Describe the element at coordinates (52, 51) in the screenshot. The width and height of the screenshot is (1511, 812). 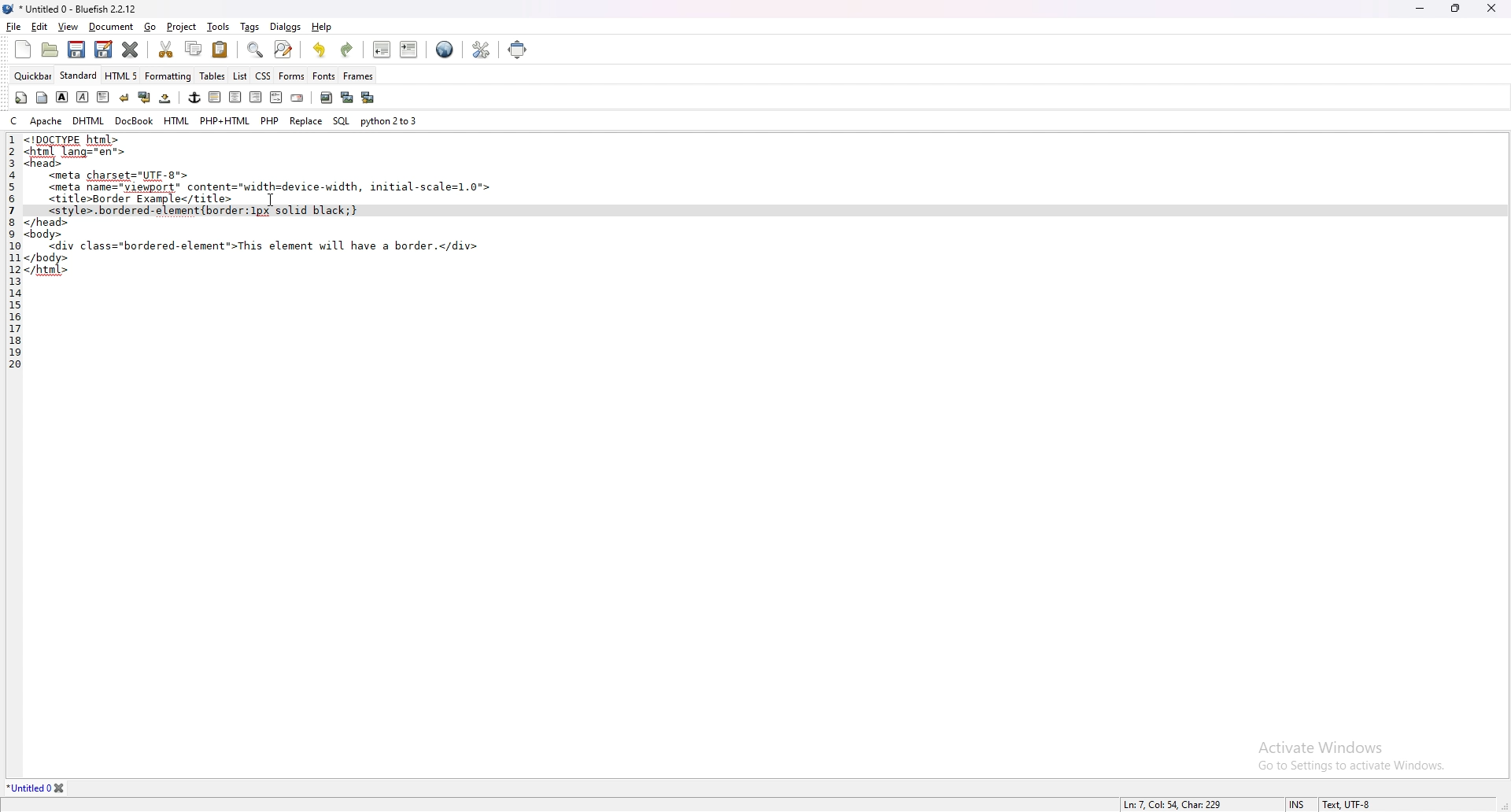
I see `open` at that location.